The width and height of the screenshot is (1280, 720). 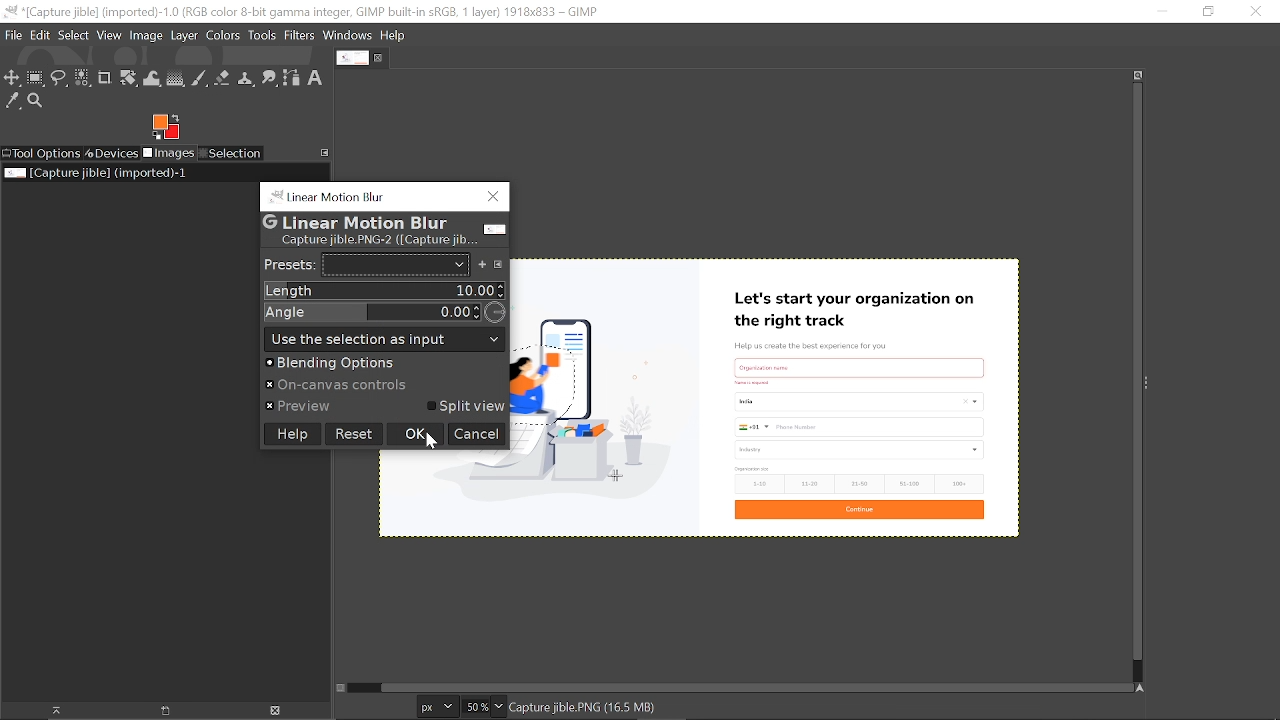 What do you see at coordinates (222, 37) in the screenshot?
I see `Colors` at bounding box center [222, 37].